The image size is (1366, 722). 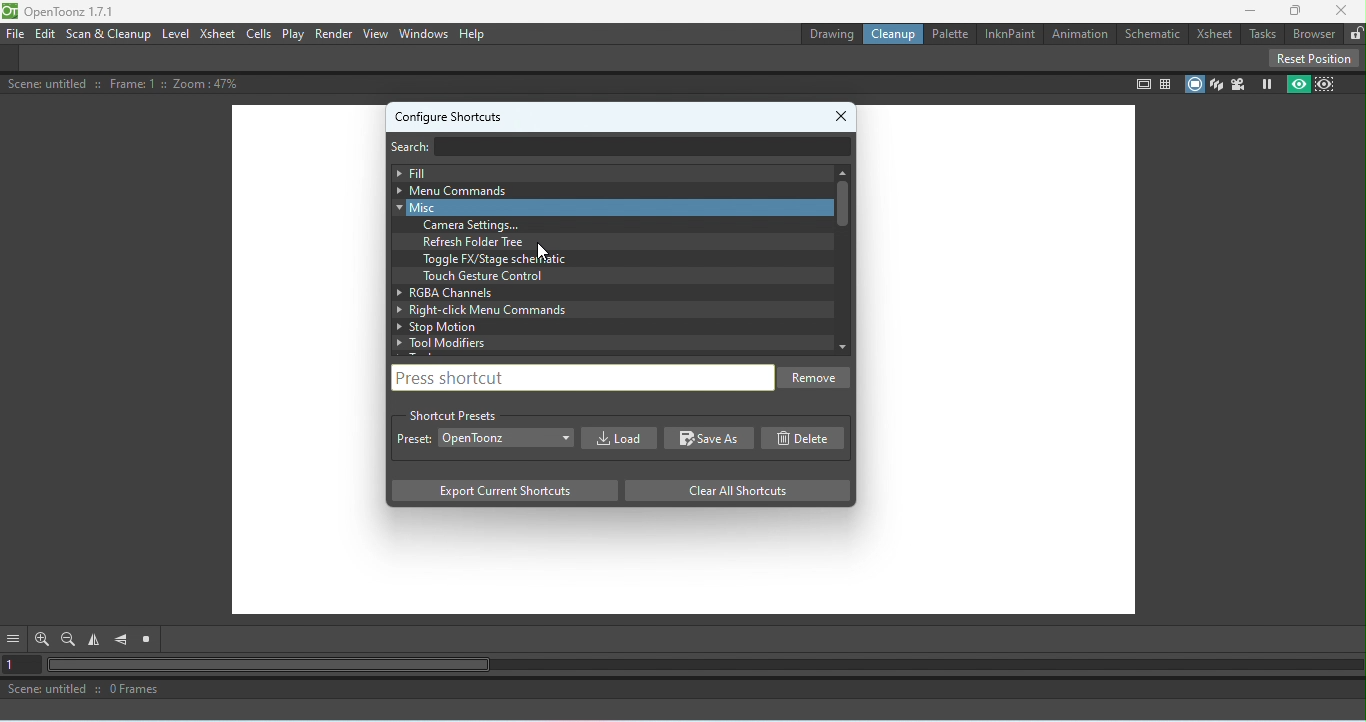 What do you see at coordinates (22, 666) in the screenshot?
I see `Set the current frame` at bounding box center [22, 666].